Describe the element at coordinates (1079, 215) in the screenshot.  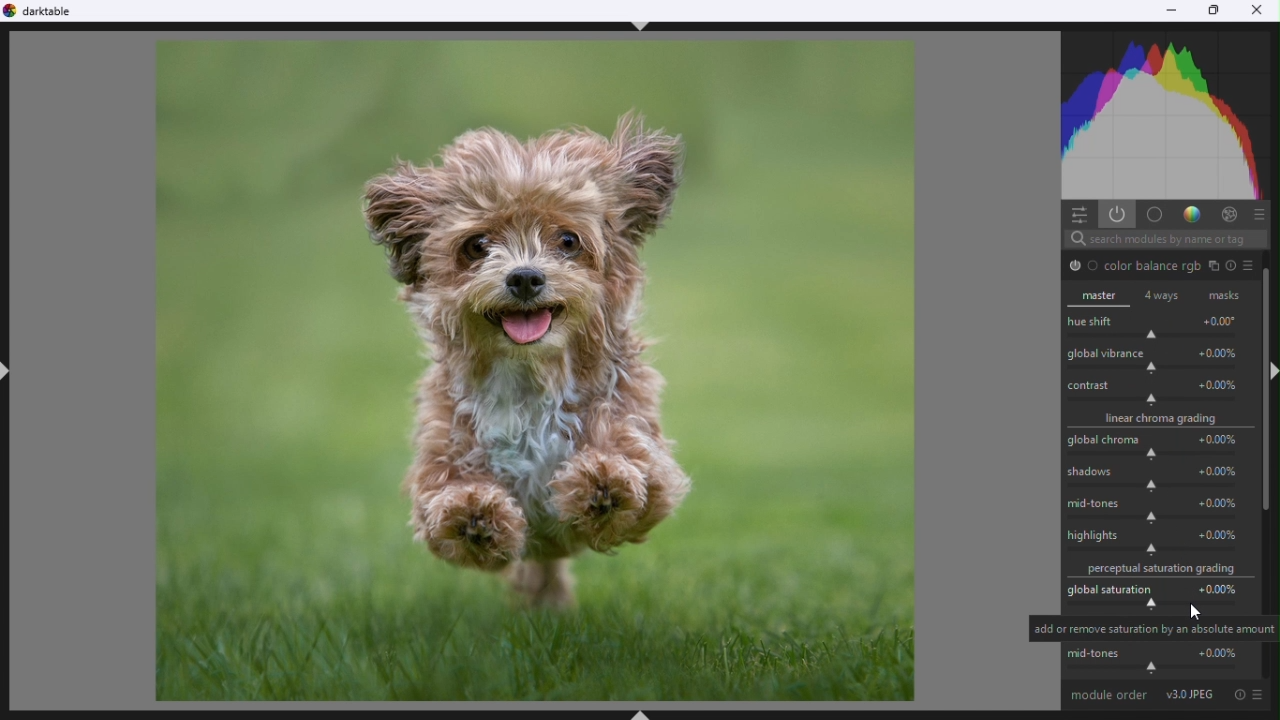
I see `quick settings` at that location.